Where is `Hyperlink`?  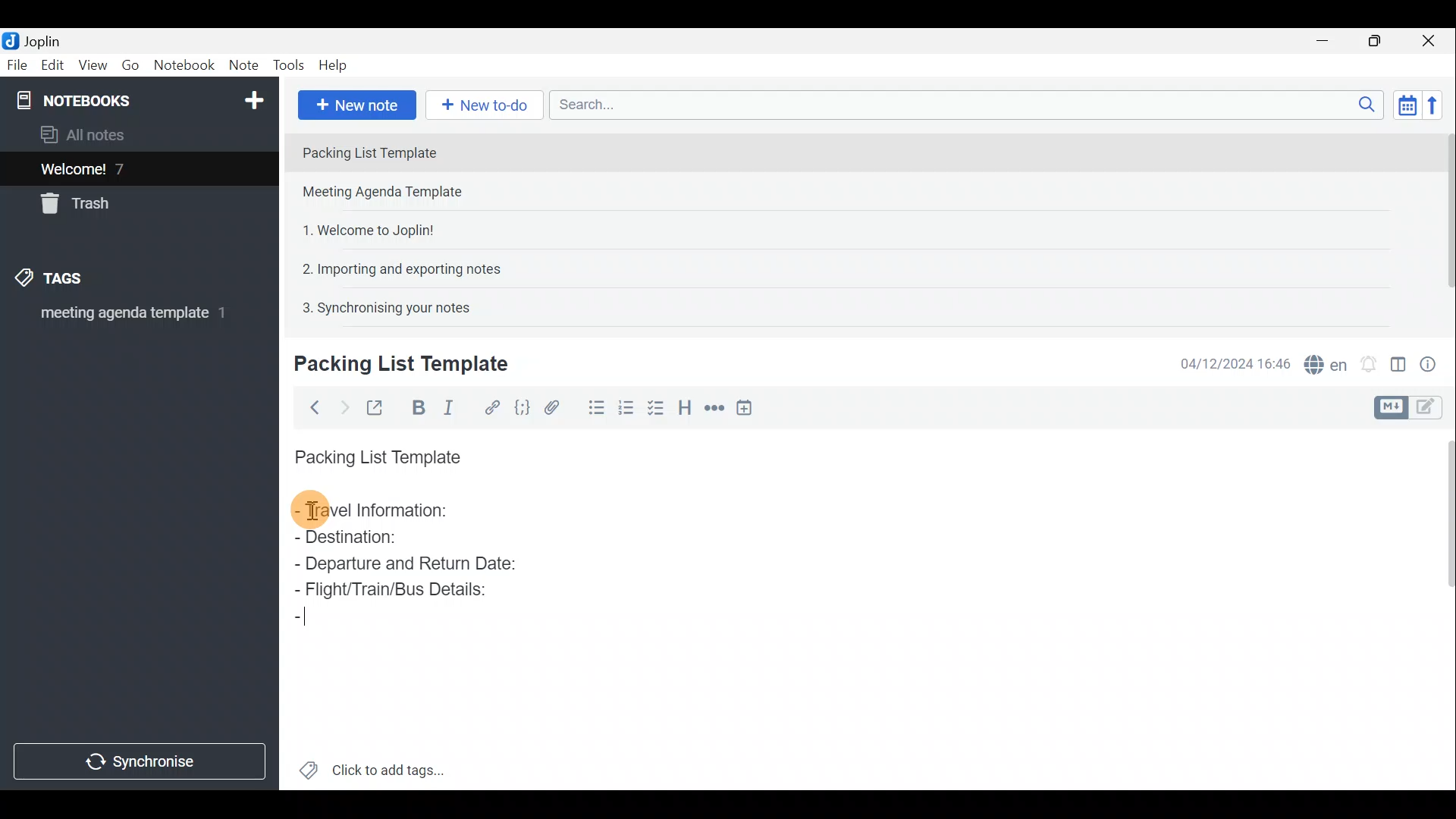
Hyperlink is located at coordinates (489, 406).